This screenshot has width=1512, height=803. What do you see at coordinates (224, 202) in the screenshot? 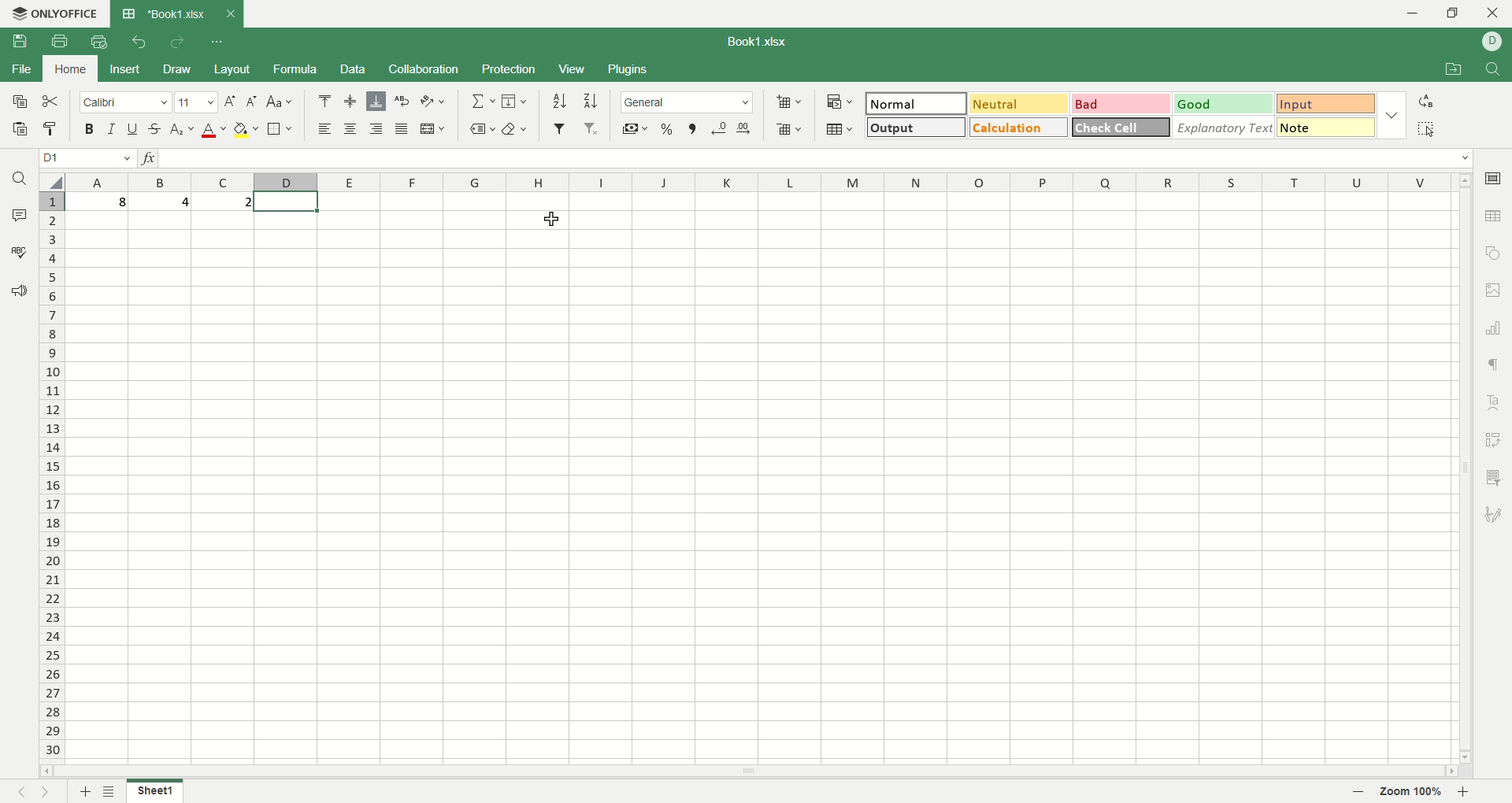
I see `2` at bounding box center [224, 202].